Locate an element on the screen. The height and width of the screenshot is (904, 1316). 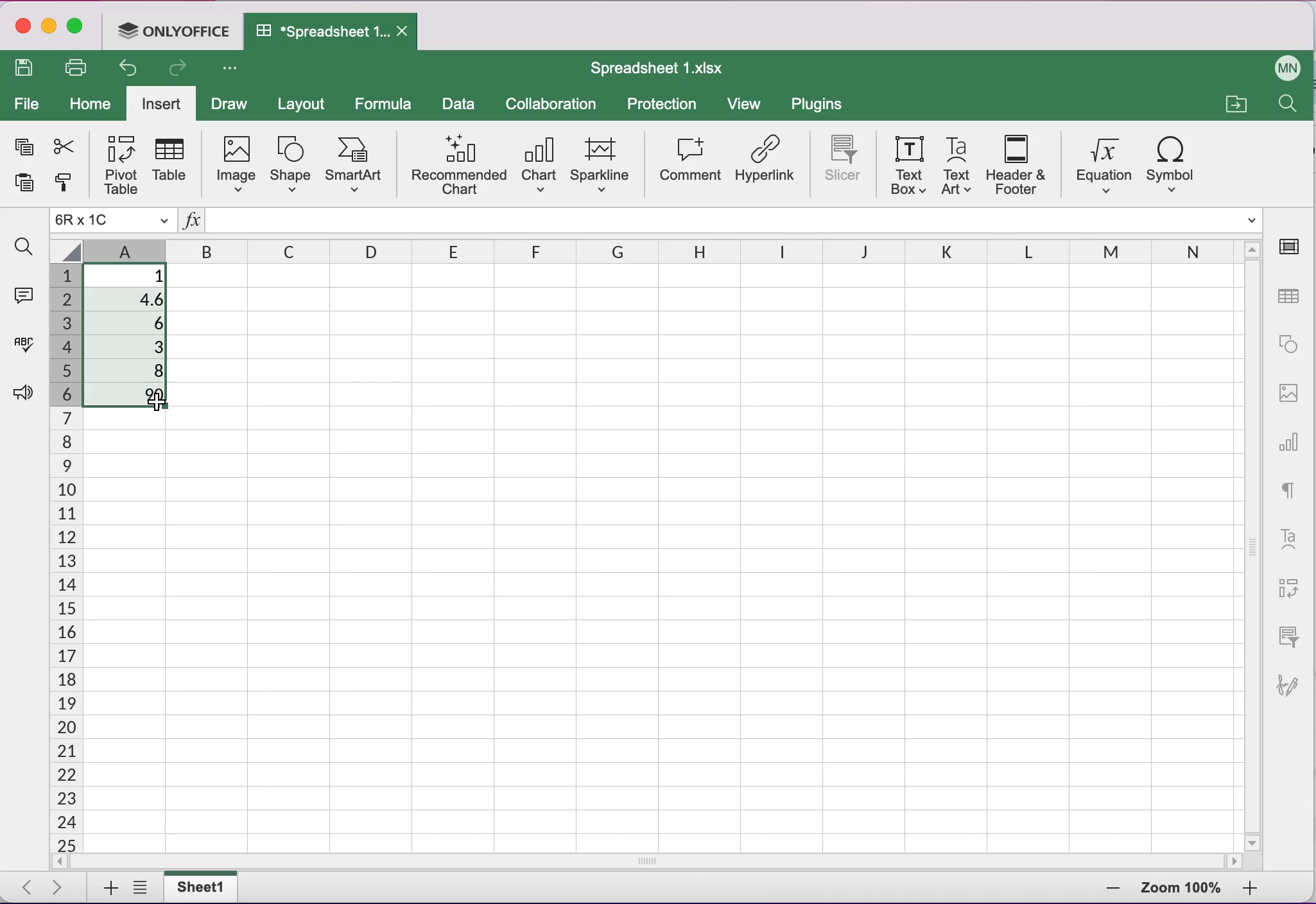
maximize is located at coordinates (76, 30).